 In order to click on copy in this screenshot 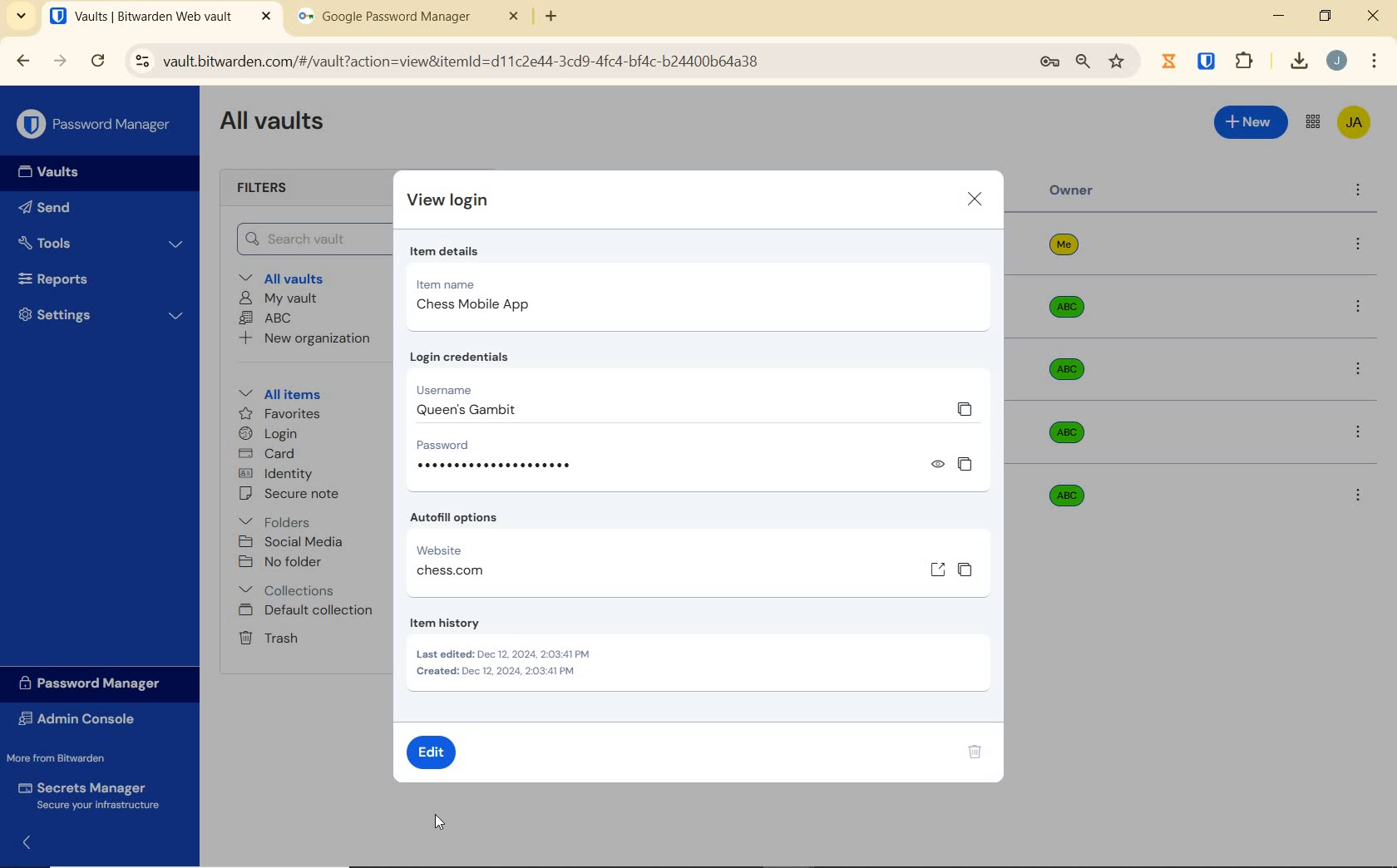, I will do `click(965, 408)`.